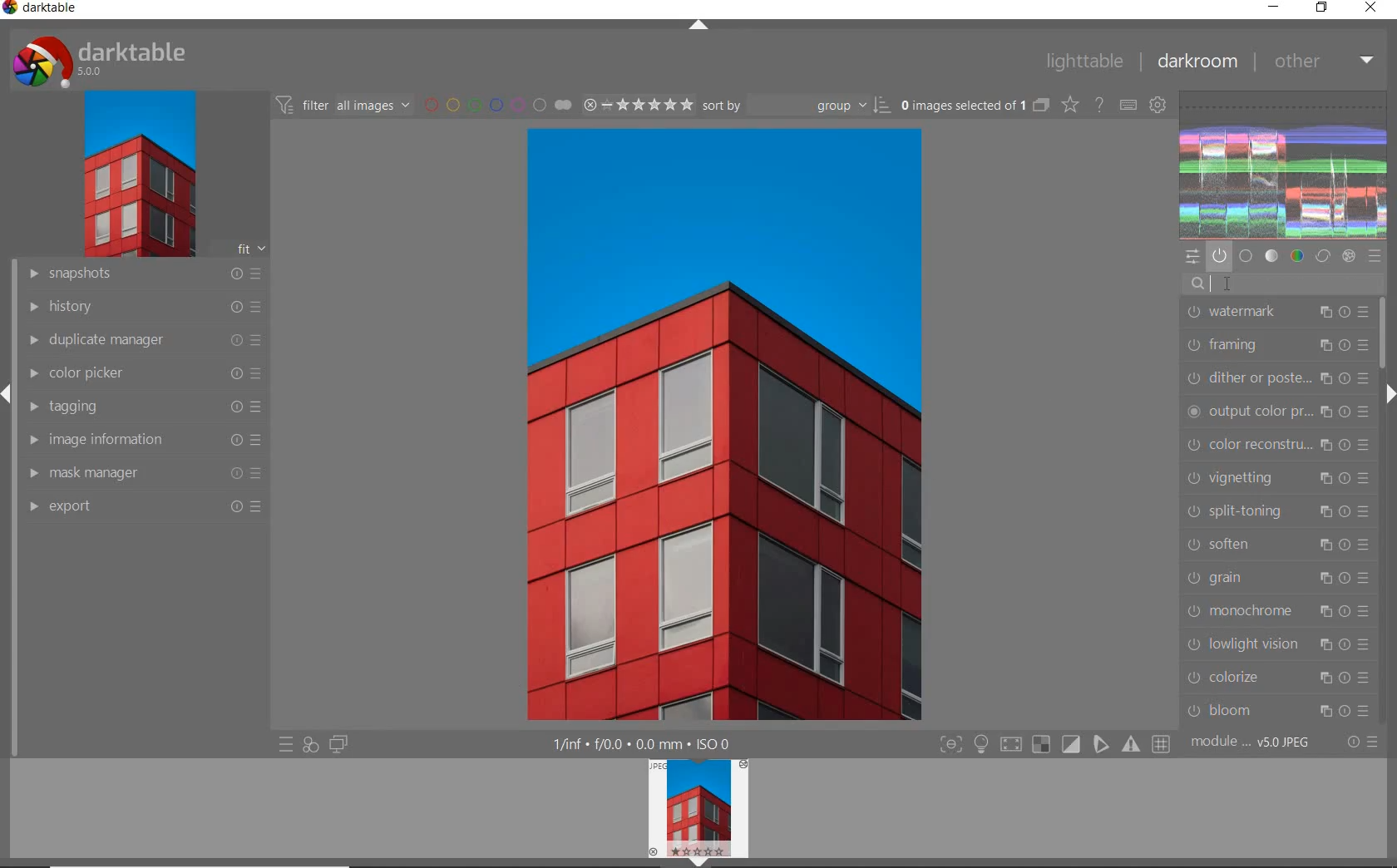 This screenshot has height=868, width=1397. I want to click on color picker, so click(144, 373).